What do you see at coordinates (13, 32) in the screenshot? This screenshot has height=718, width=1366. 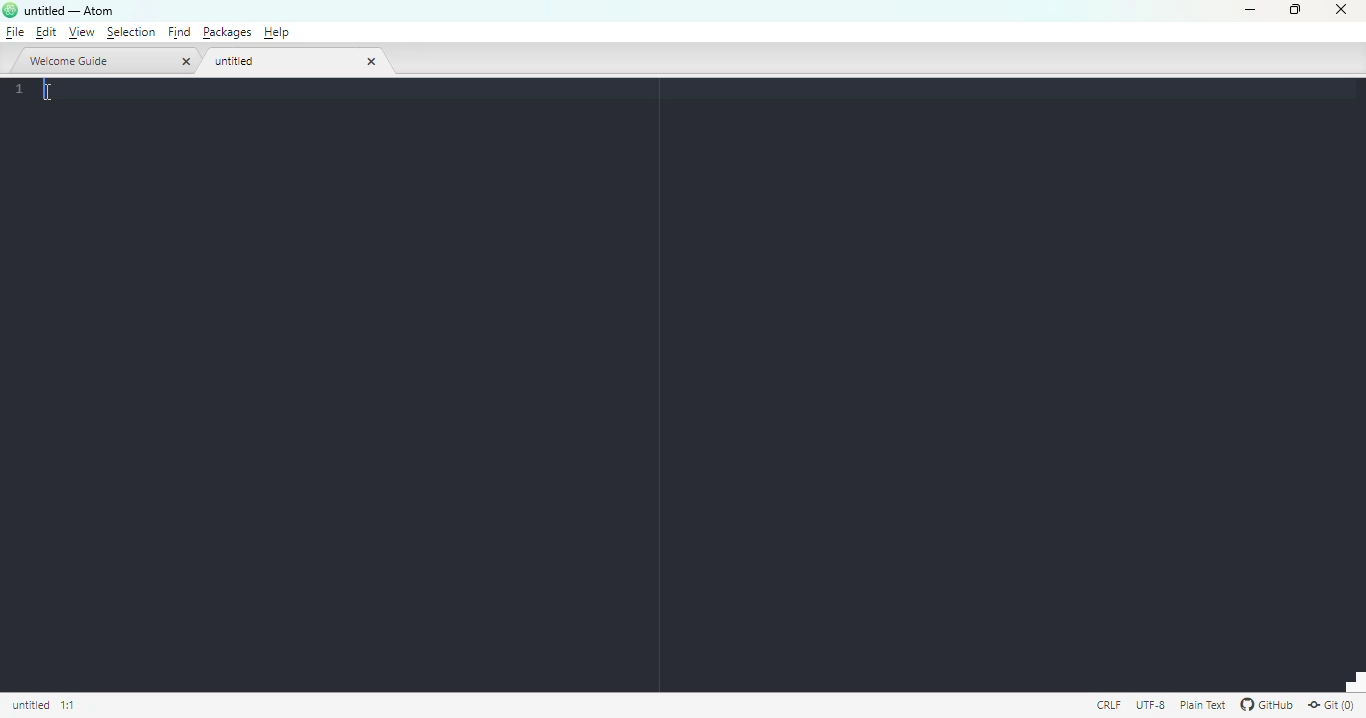 I see `file` at bounding box center [13, 32].